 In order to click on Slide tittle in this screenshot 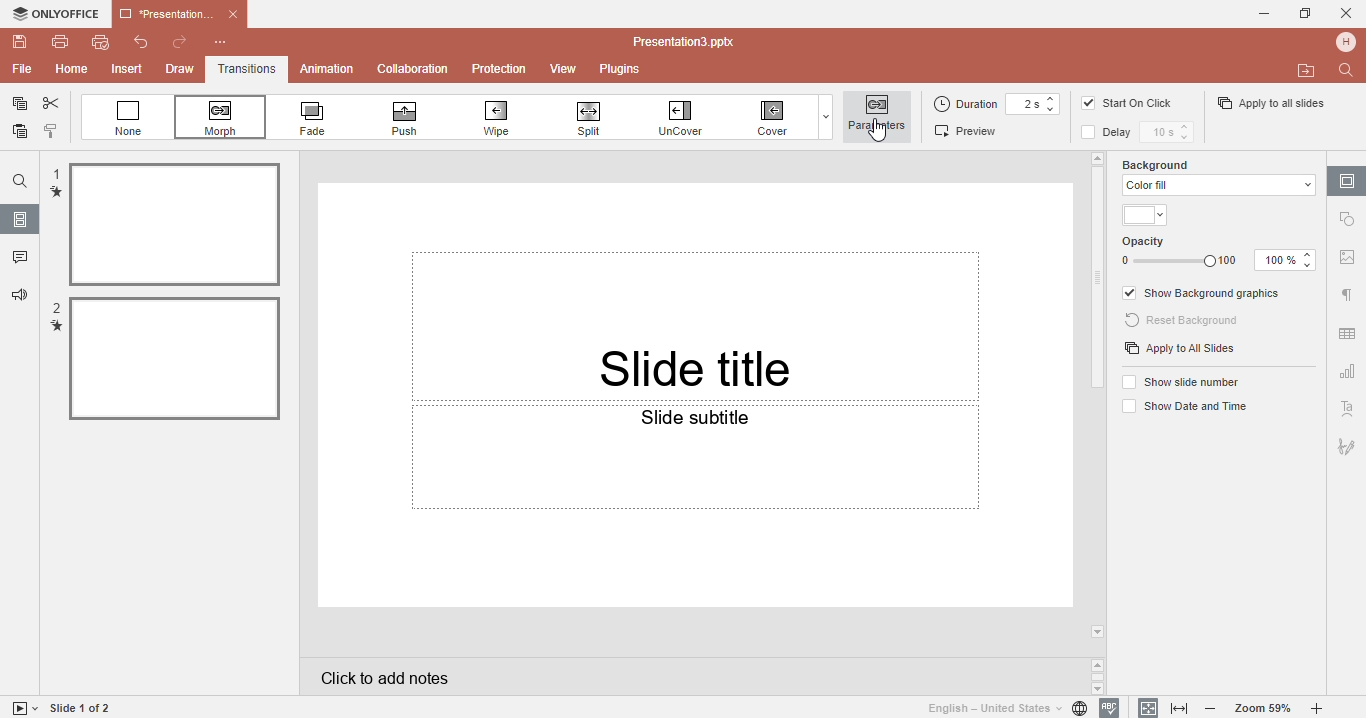, I will do `click(699, 292)`.